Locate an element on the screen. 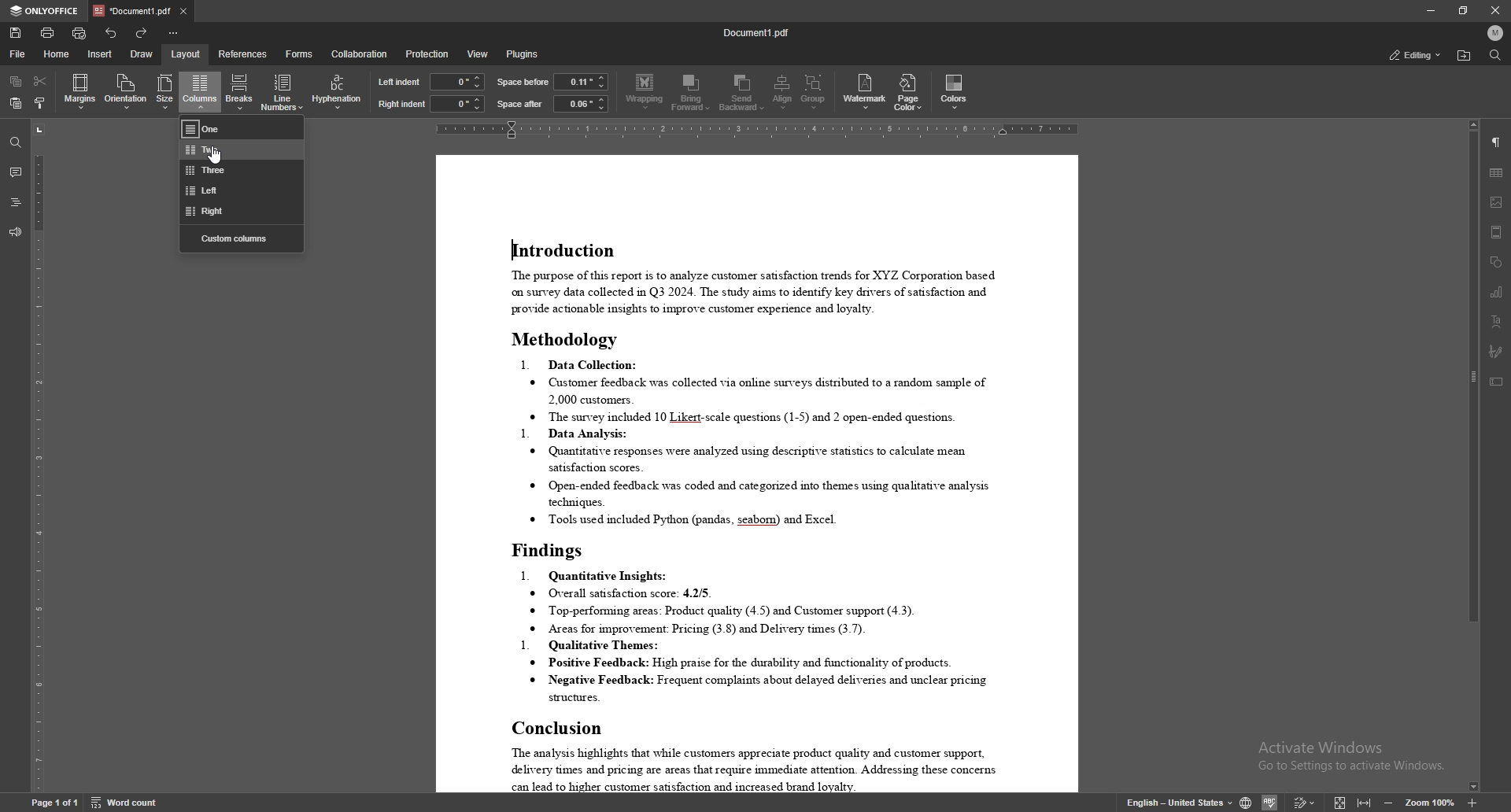 This screenshot has width=1511, height=812. space after is located at coordinates (519, 105).